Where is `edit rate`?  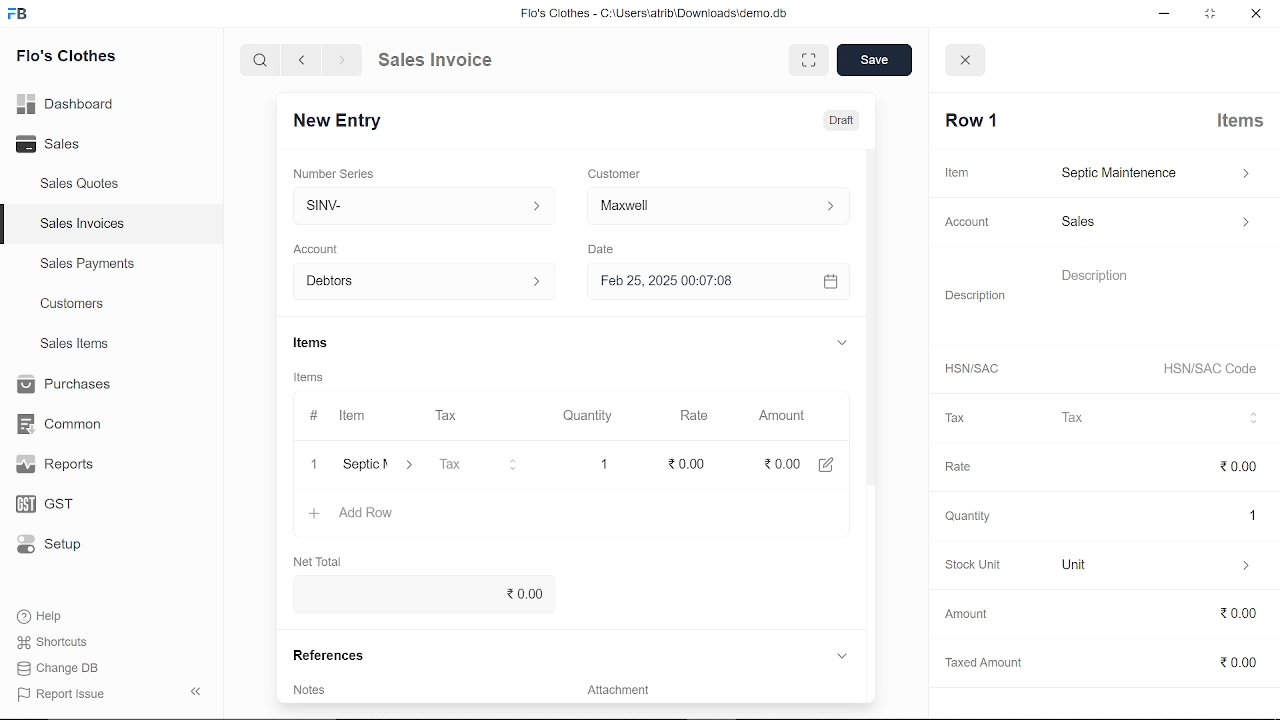 edit rate is located at coordinates (687, 463).